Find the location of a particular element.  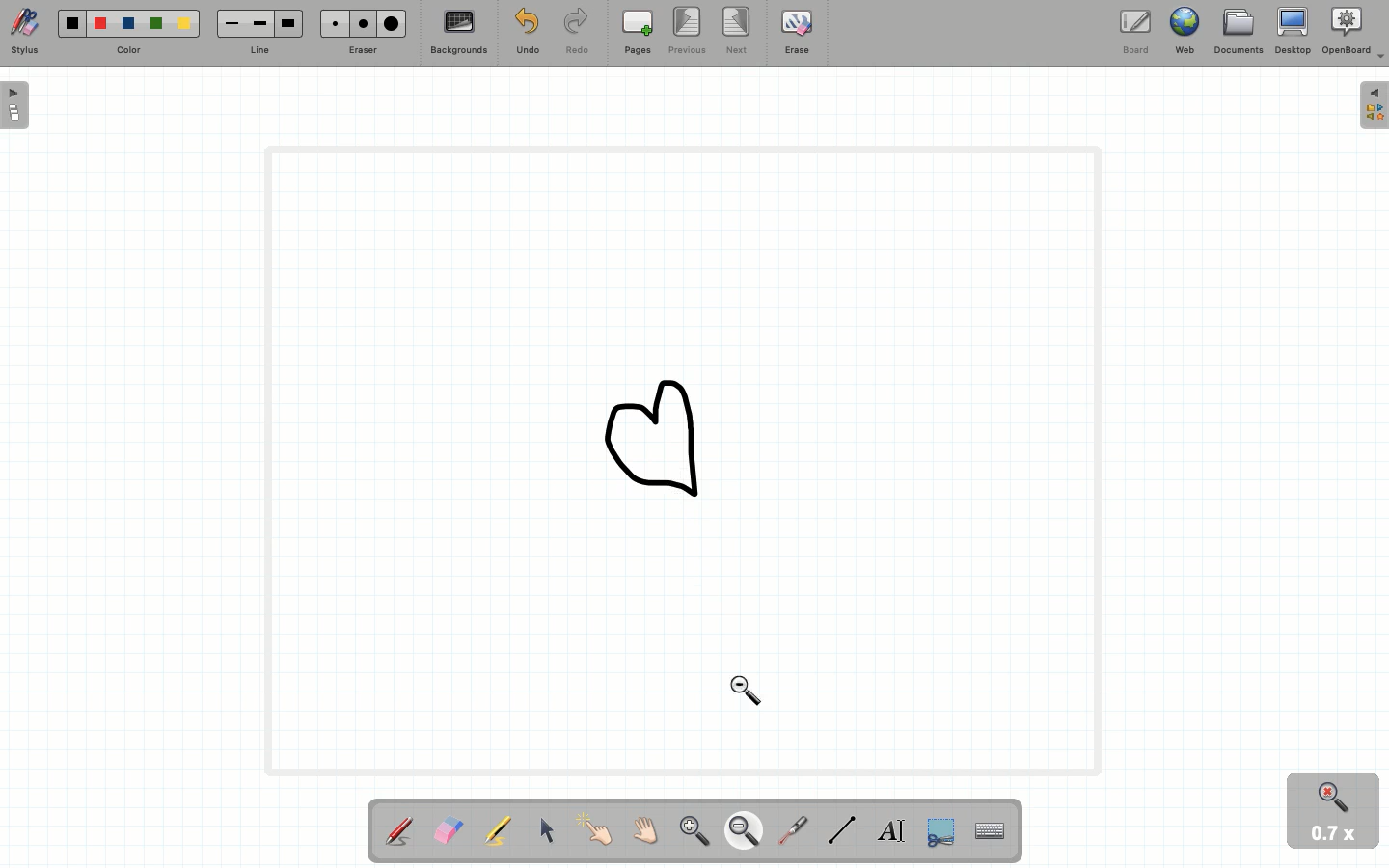

Mouse is located at coordinates (547, 833).